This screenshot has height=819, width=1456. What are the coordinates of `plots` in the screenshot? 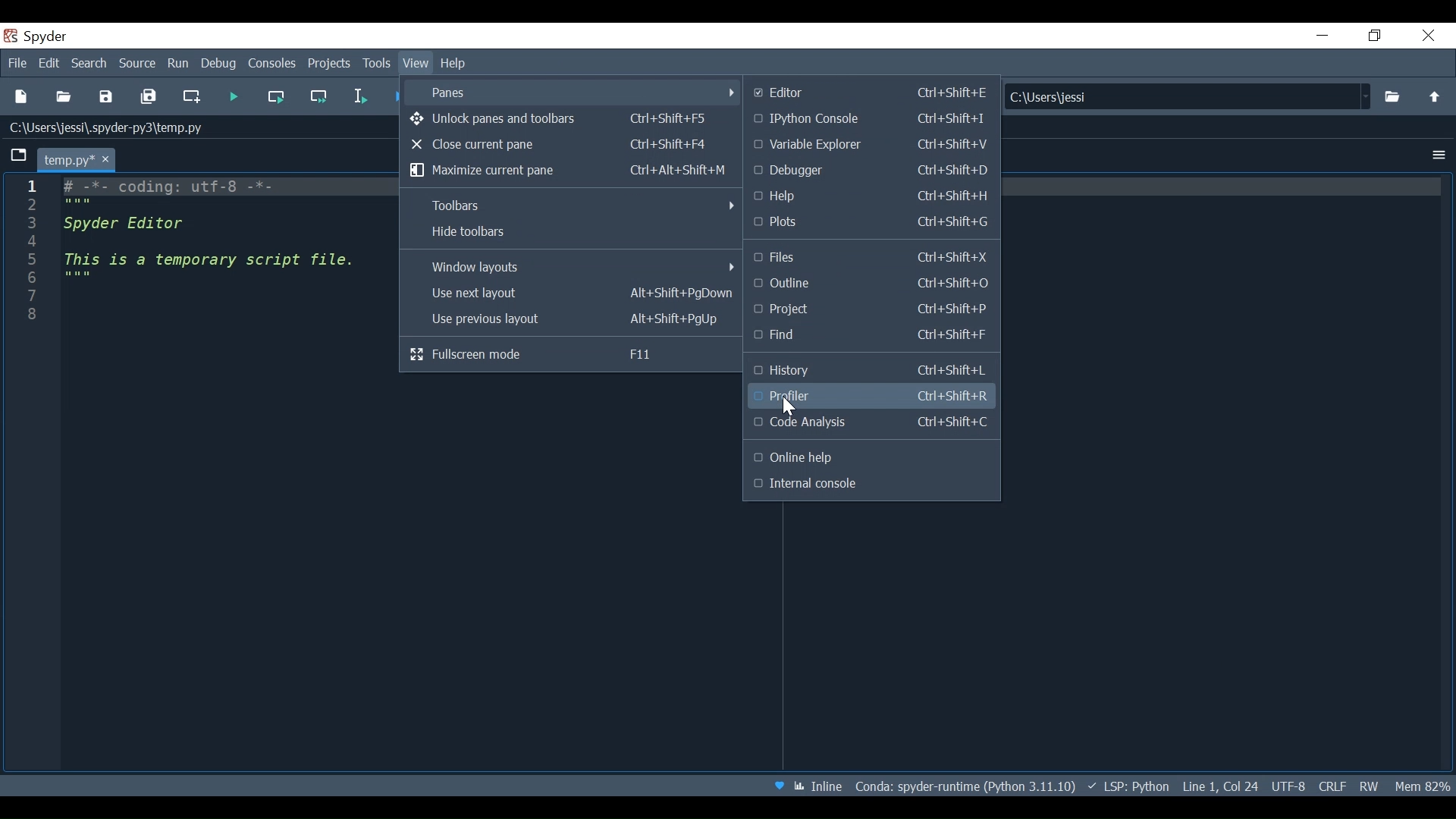 It's located at (872, 221).